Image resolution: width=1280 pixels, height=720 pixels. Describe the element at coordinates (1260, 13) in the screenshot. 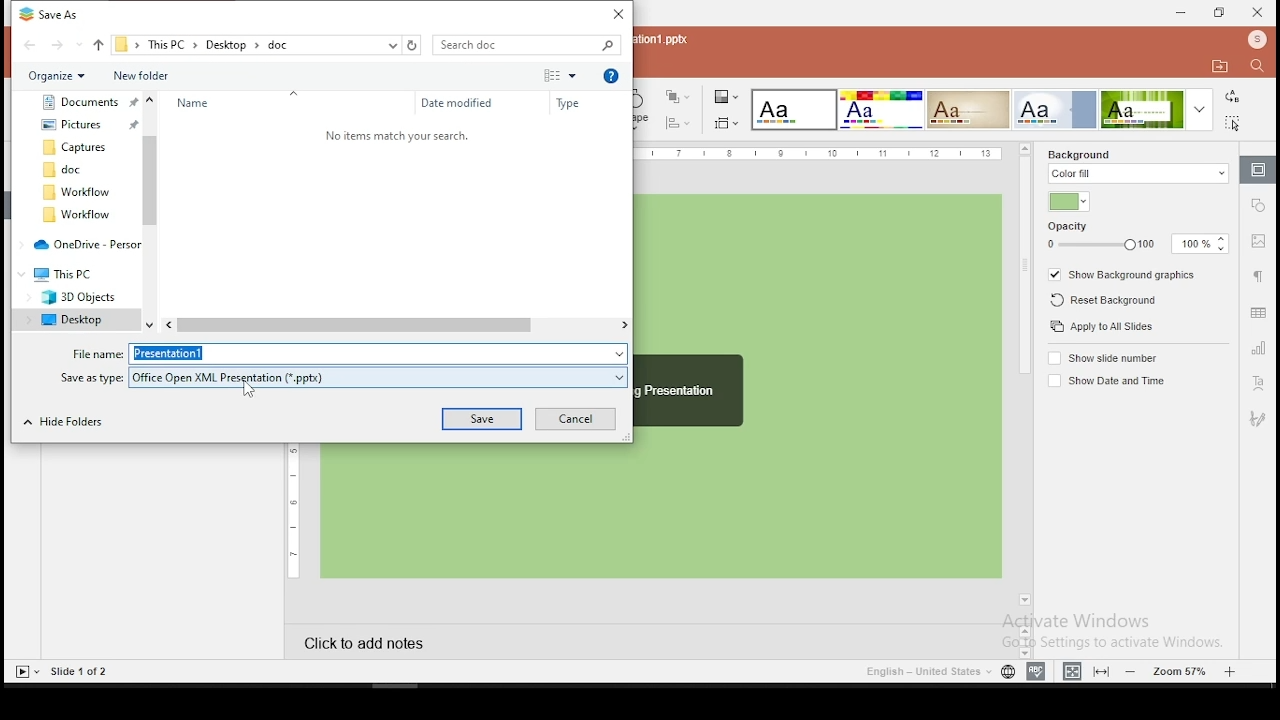

I see `close window` at that location.